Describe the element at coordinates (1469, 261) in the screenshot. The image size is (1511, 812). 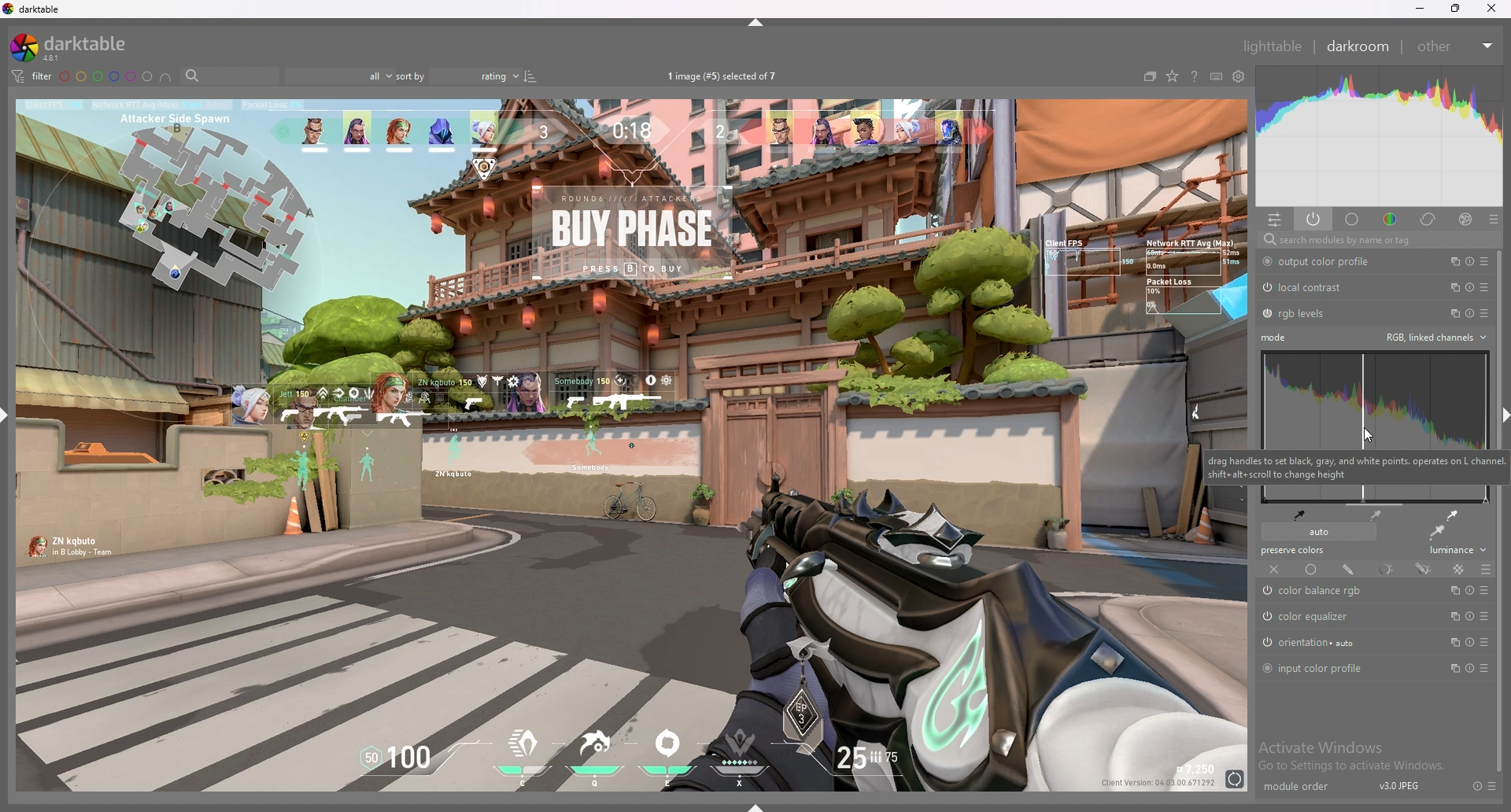
I see `reset` at that location.